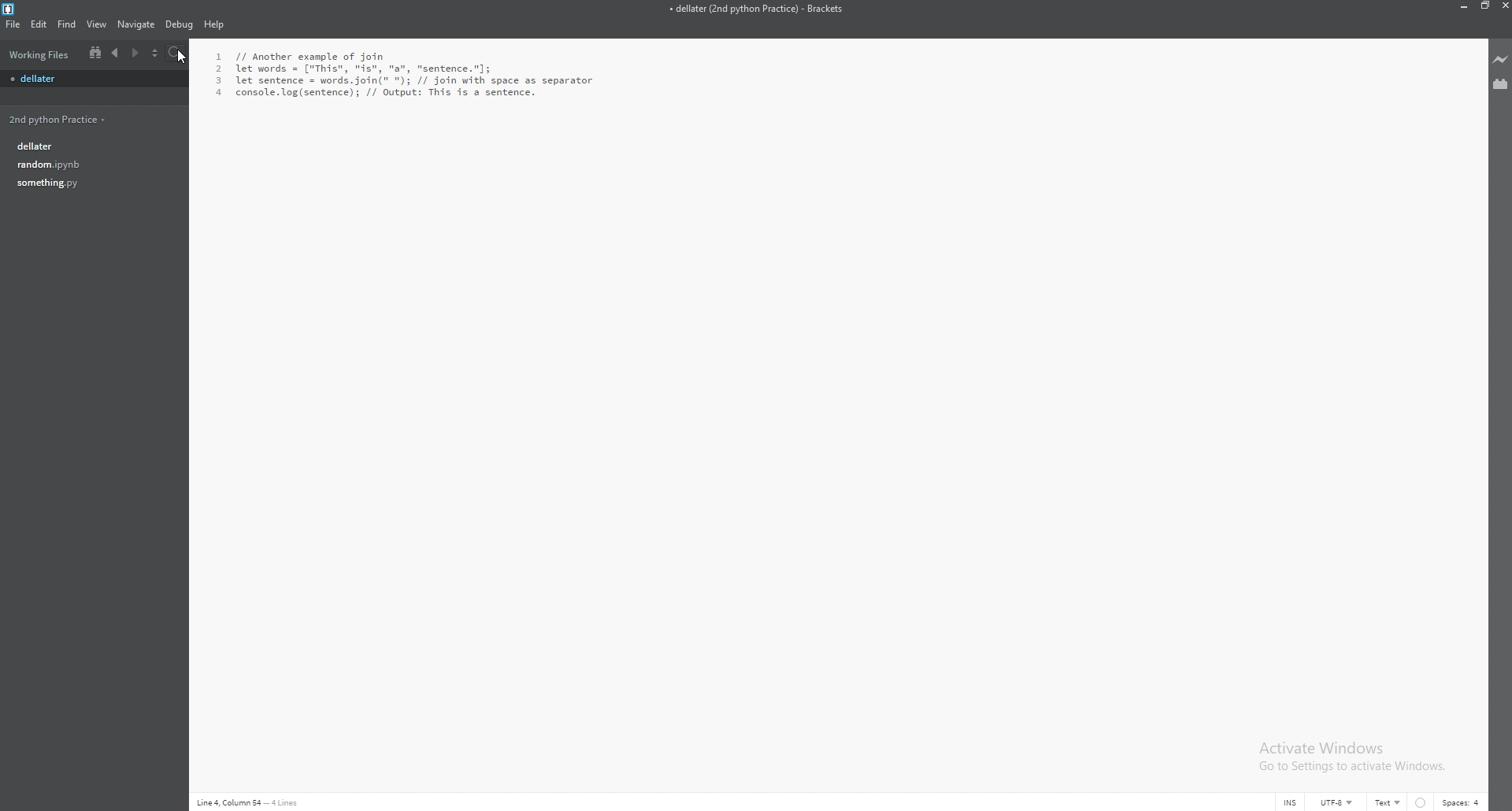 The image size is (1512, 811). What do you see at coordinates (95, 147) in the screenshot?
I see `dellater` at bounding box center [95, 147].